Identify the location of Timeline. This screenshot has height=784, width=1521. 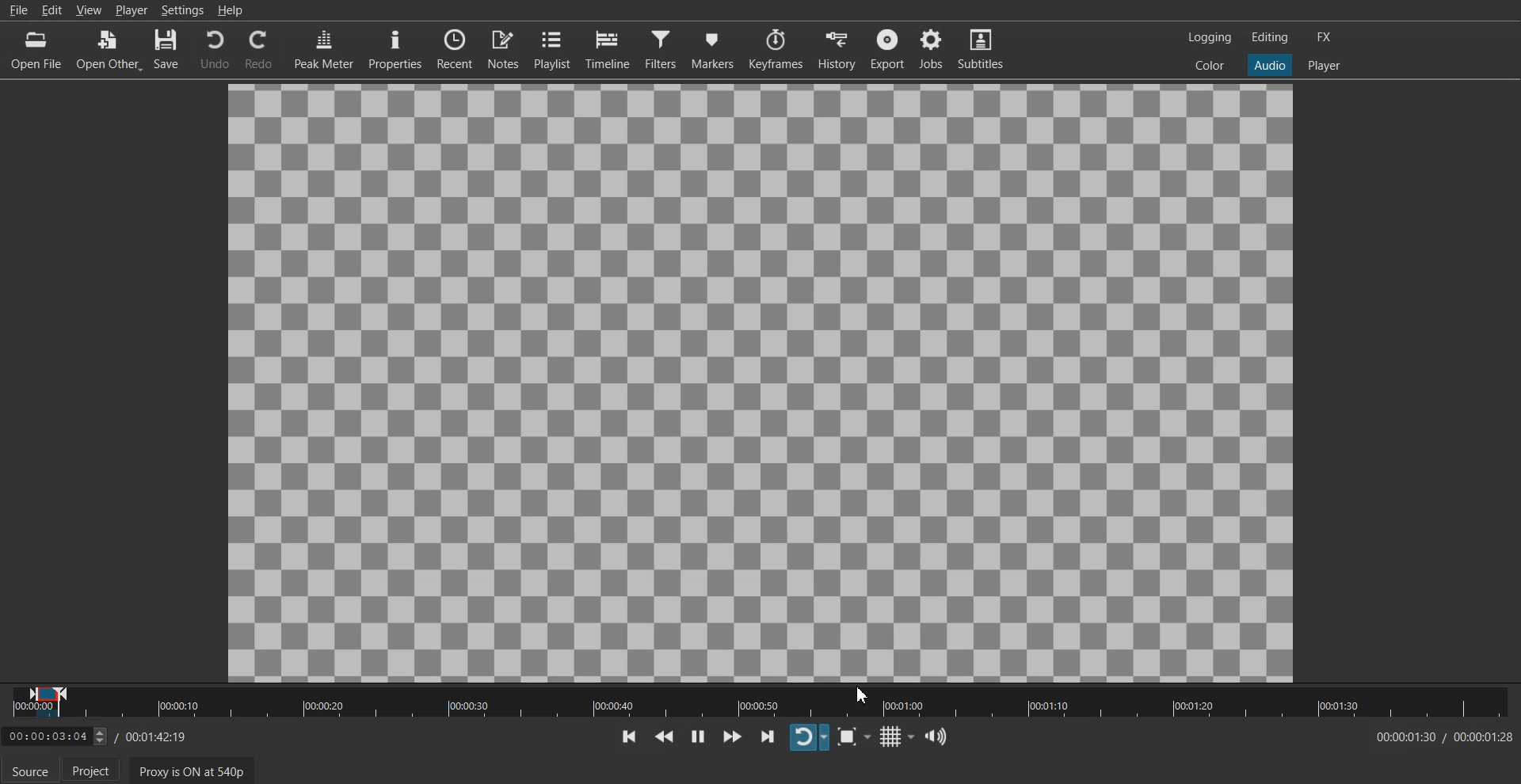
(607, 49).